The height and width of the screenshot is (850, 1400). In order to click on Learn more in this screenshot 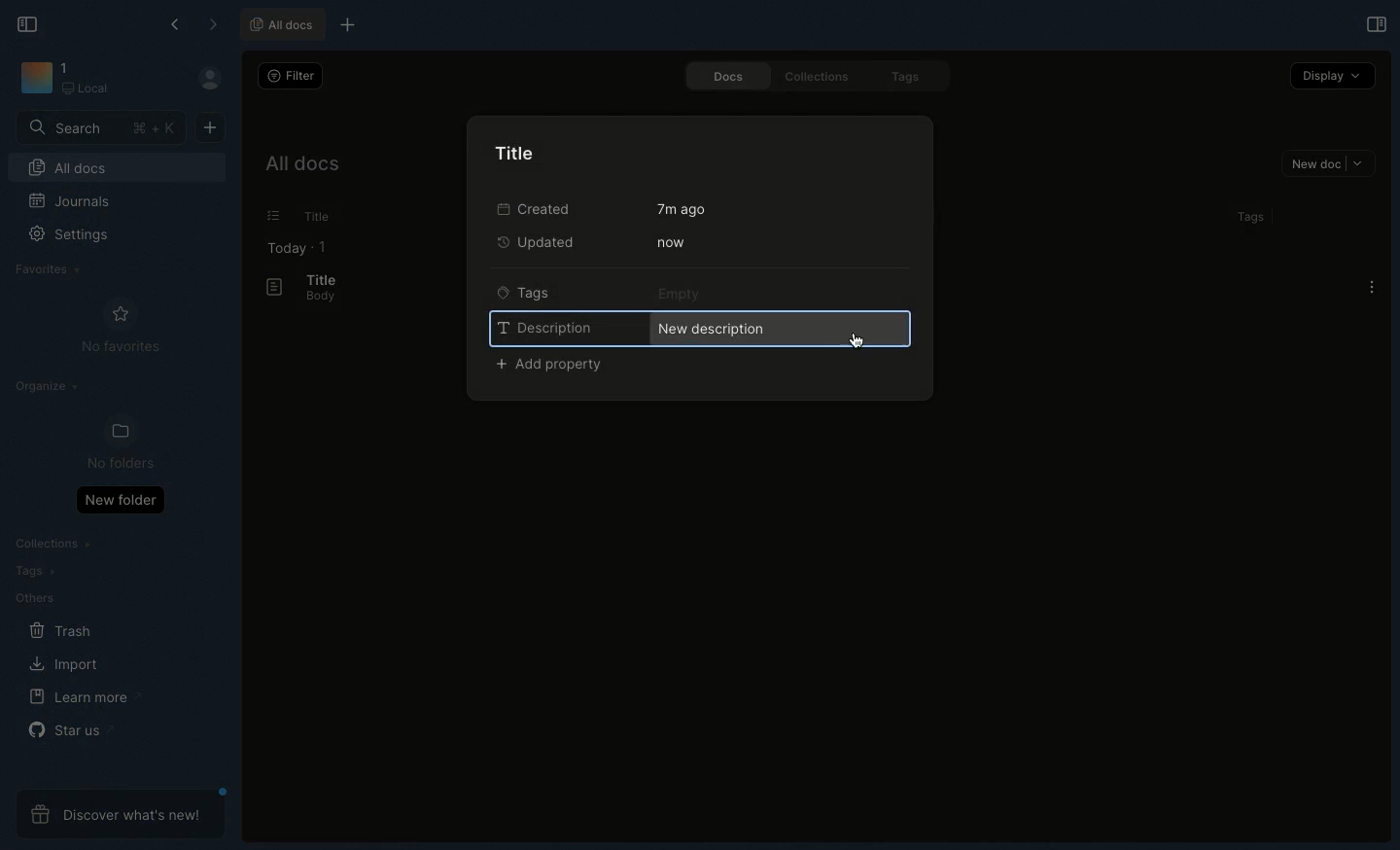, I will do `click(86, 697)`.